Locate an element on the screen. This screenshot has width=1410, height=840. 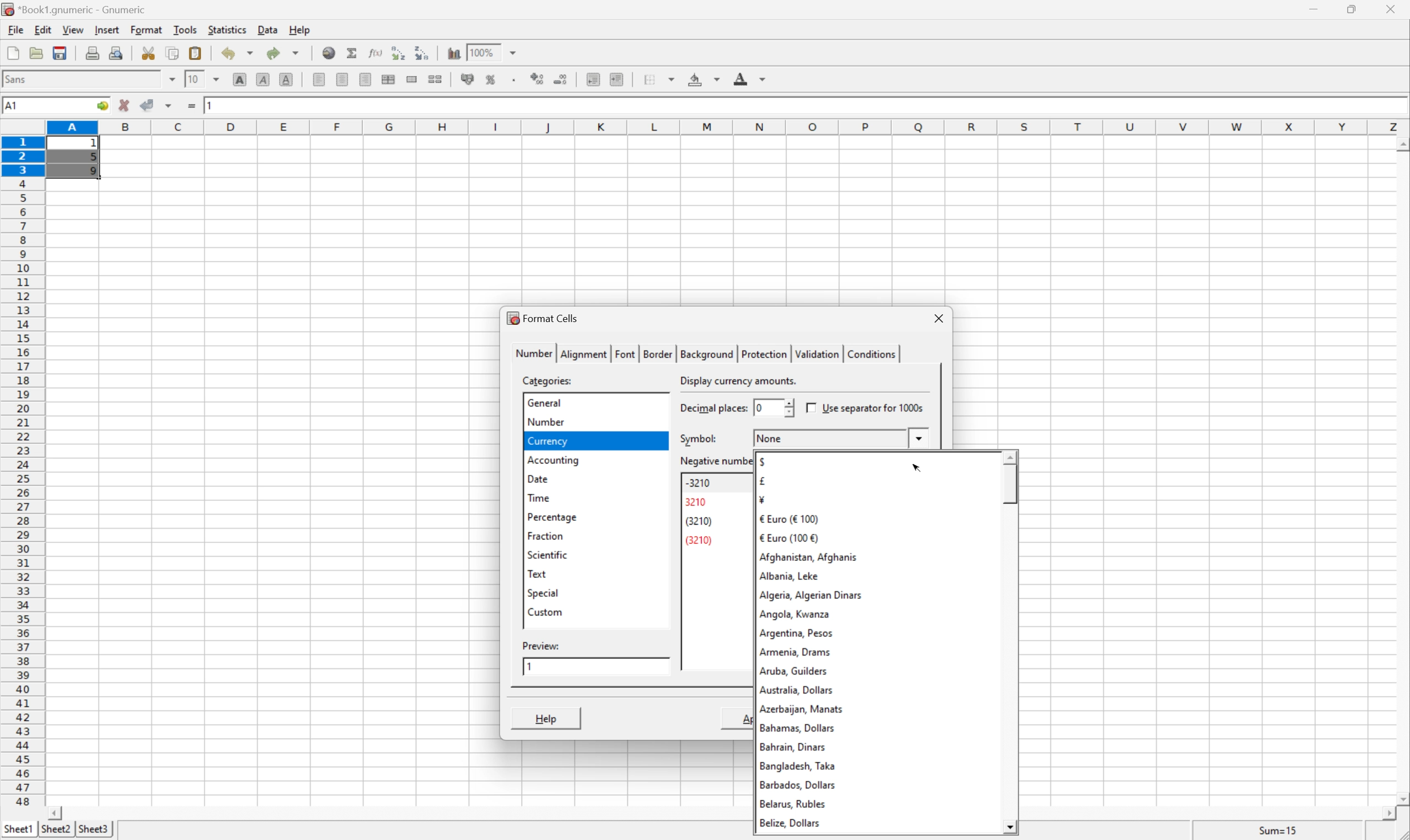
redo is located at coordinates (283, 53).